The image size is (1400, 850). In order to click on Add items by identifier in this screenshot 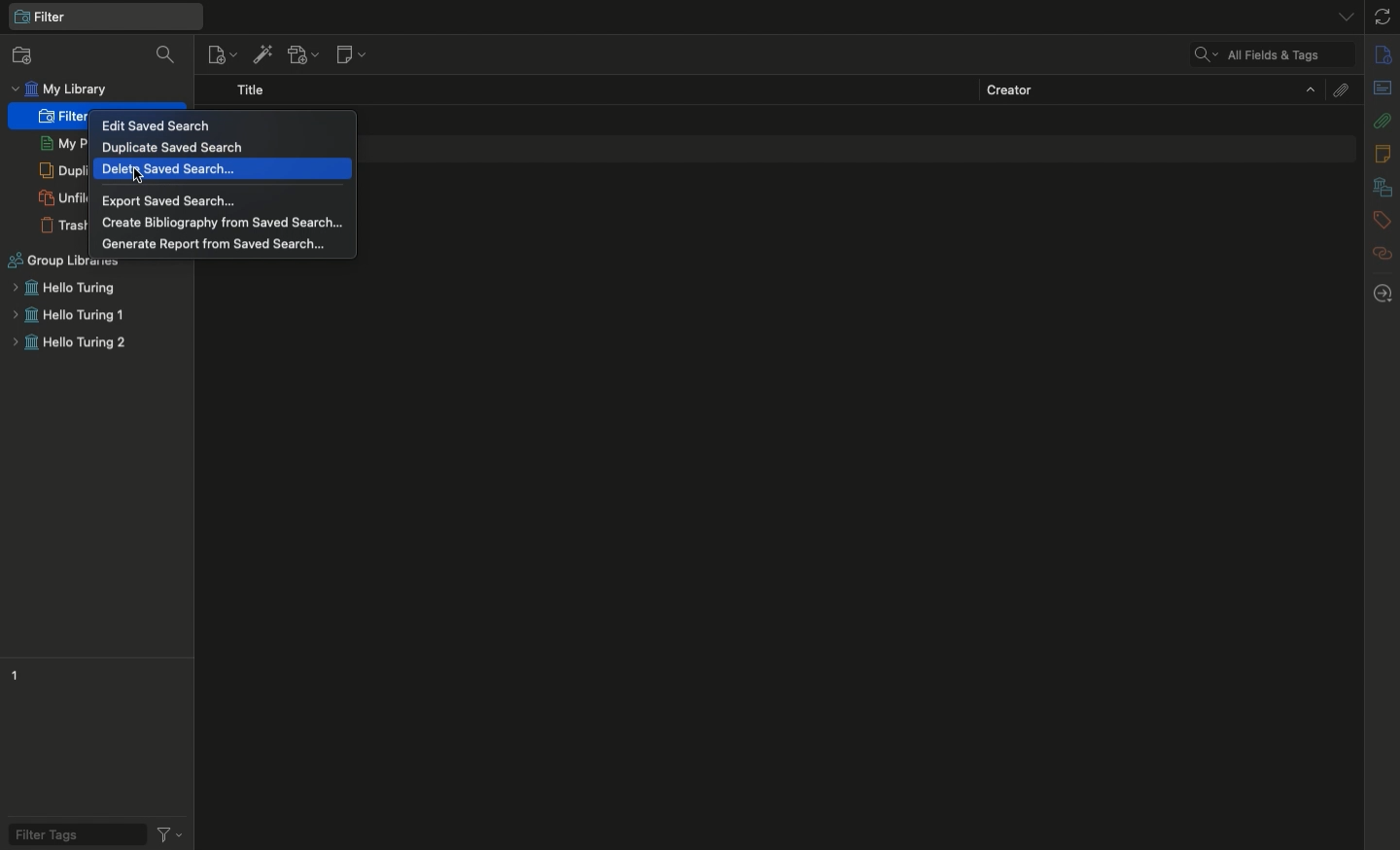, I will do `click(262, 54)`.